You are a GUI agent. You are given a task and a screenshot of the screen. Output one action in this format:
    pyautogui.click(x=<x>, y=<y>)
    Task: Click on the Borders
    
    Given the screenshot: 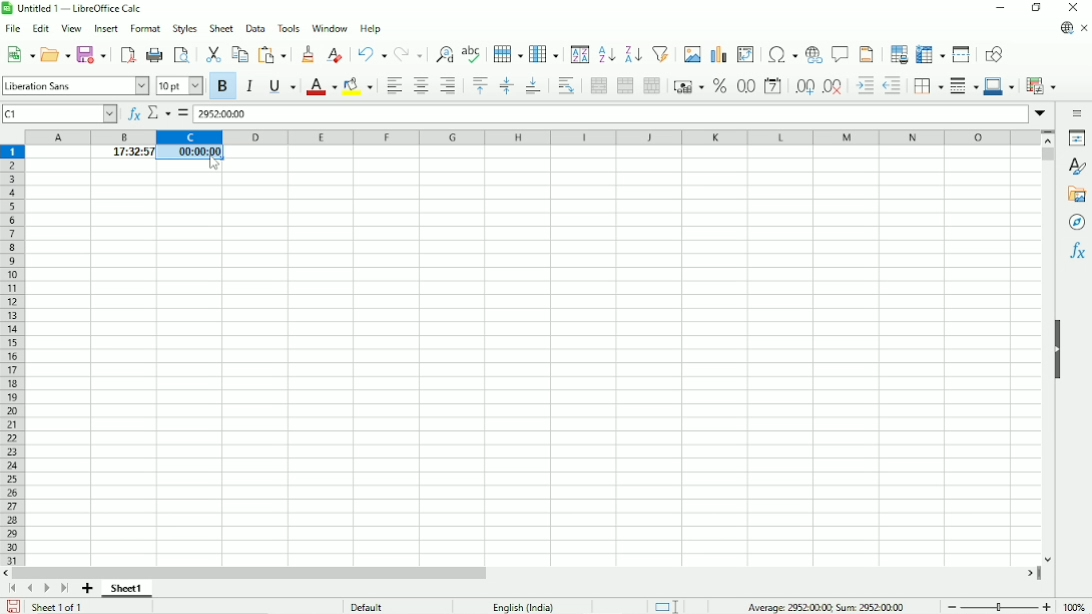 What is the action you would take?
    pyautogui.click(x=926, y=86)
    